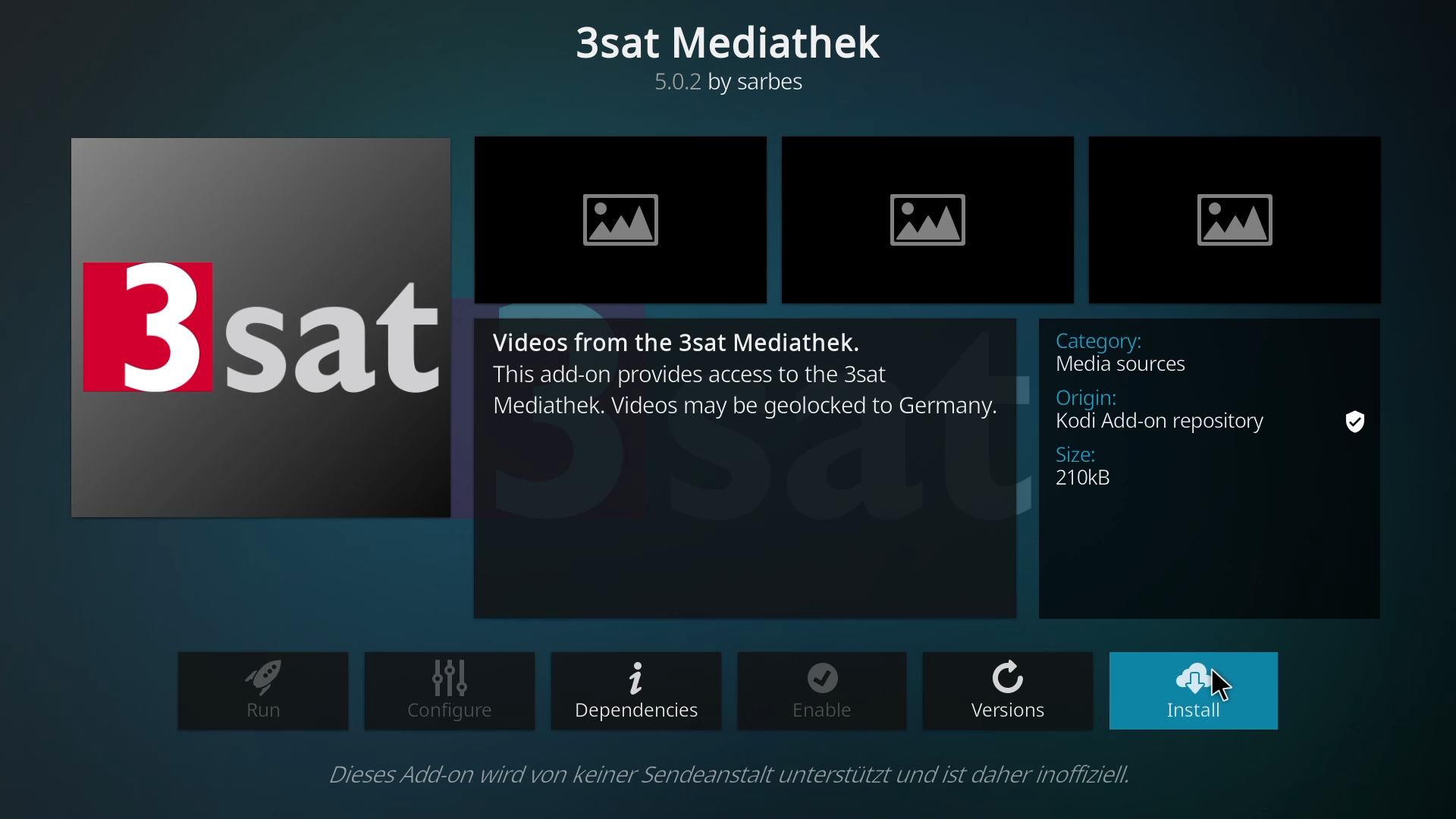  What do you see at coordinates (1240, 227) in the screenshot?
I see `image` at bounding box center [1240, 227].